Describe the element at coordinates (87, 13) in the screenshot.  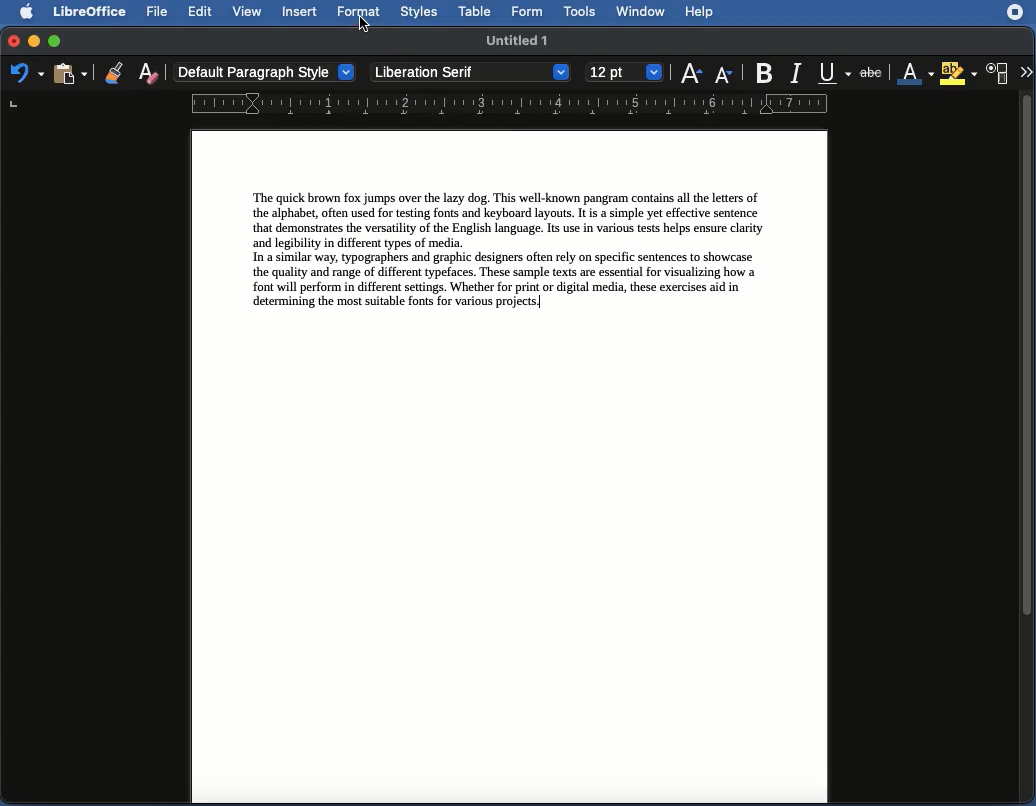
I see `LibreOffice` at that location.